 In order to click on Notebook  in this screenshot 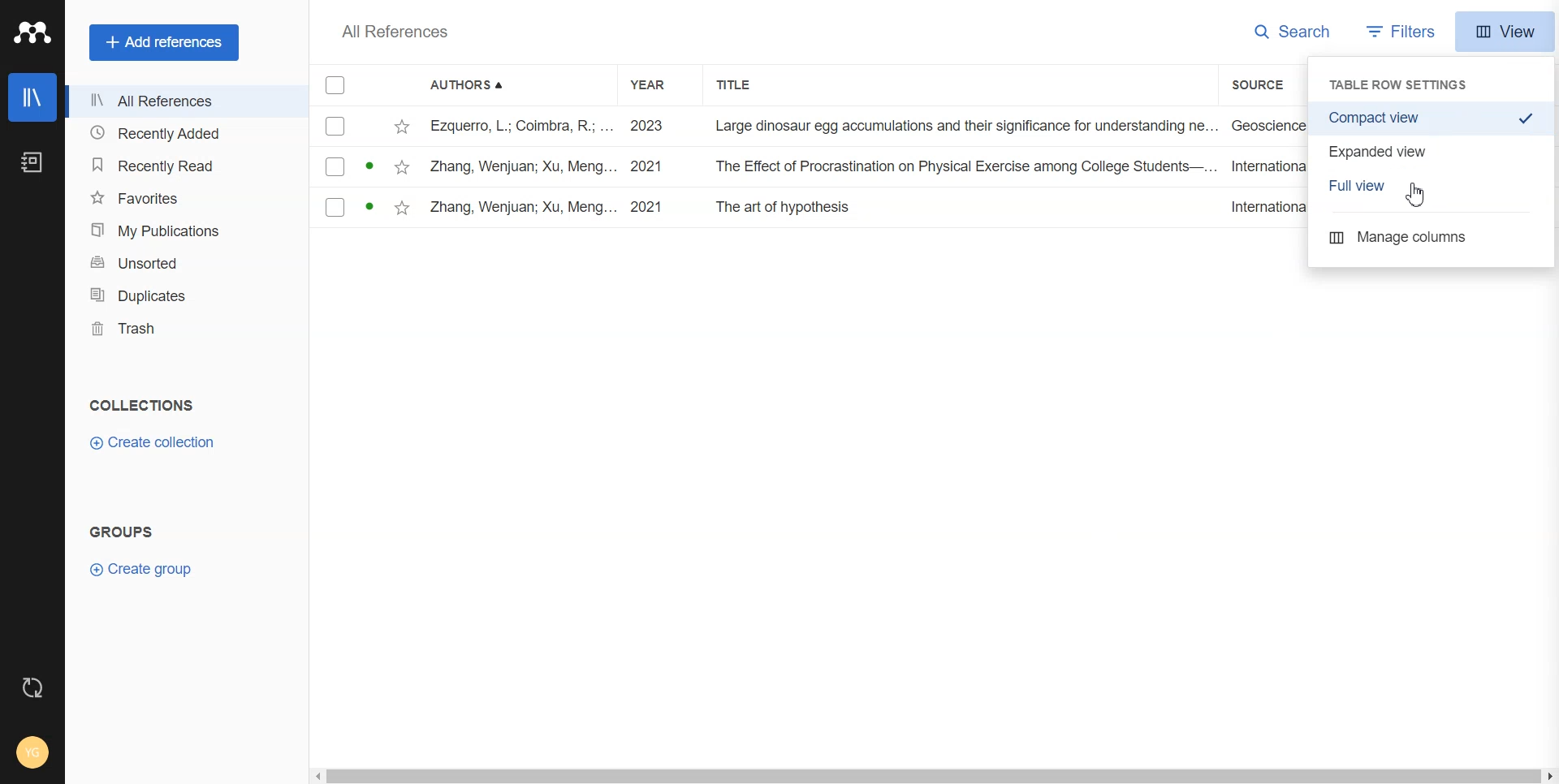, I will do `click(34, 163)`.